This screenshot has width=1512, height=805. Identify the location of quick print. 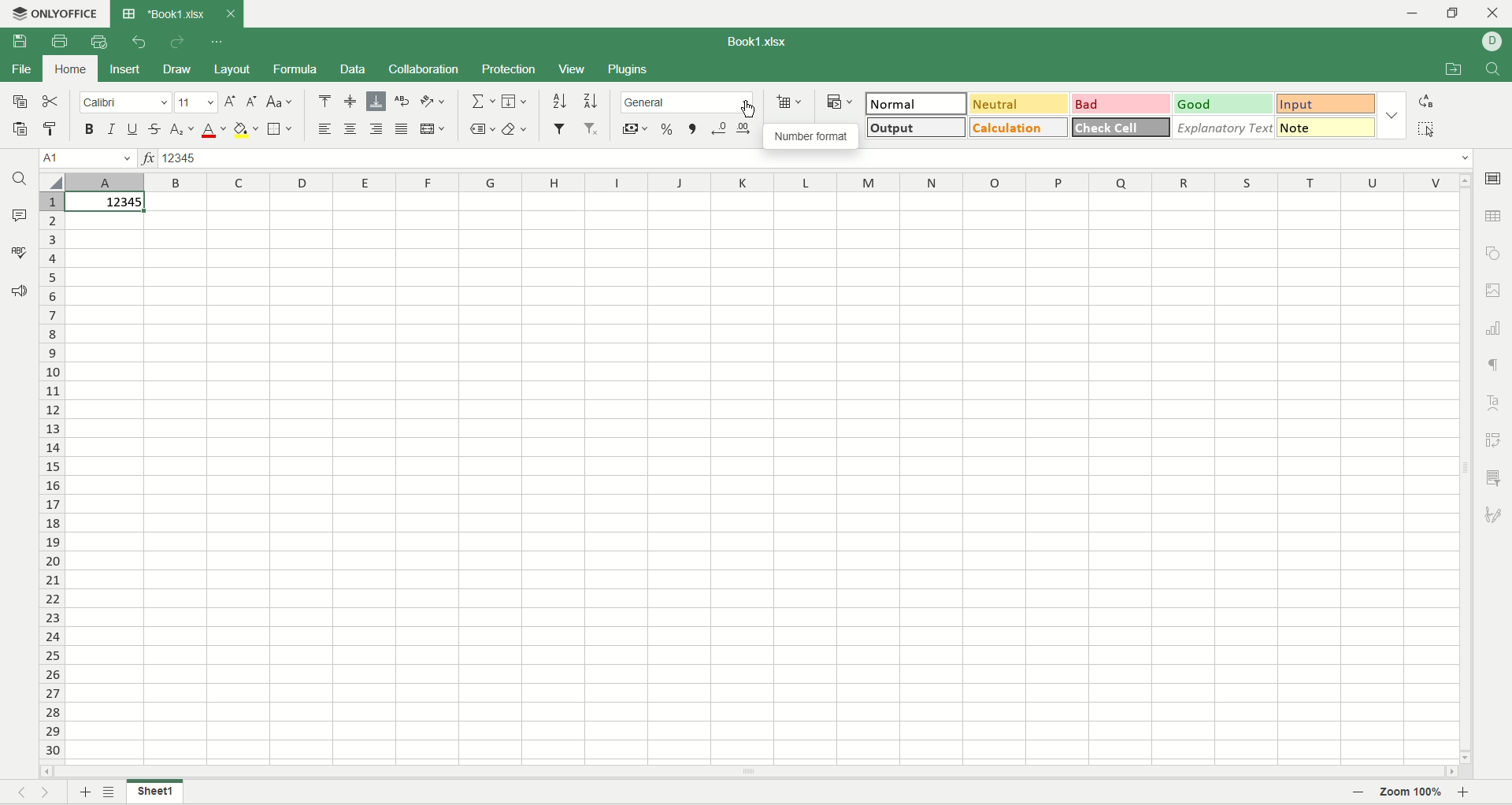
(99, 43).